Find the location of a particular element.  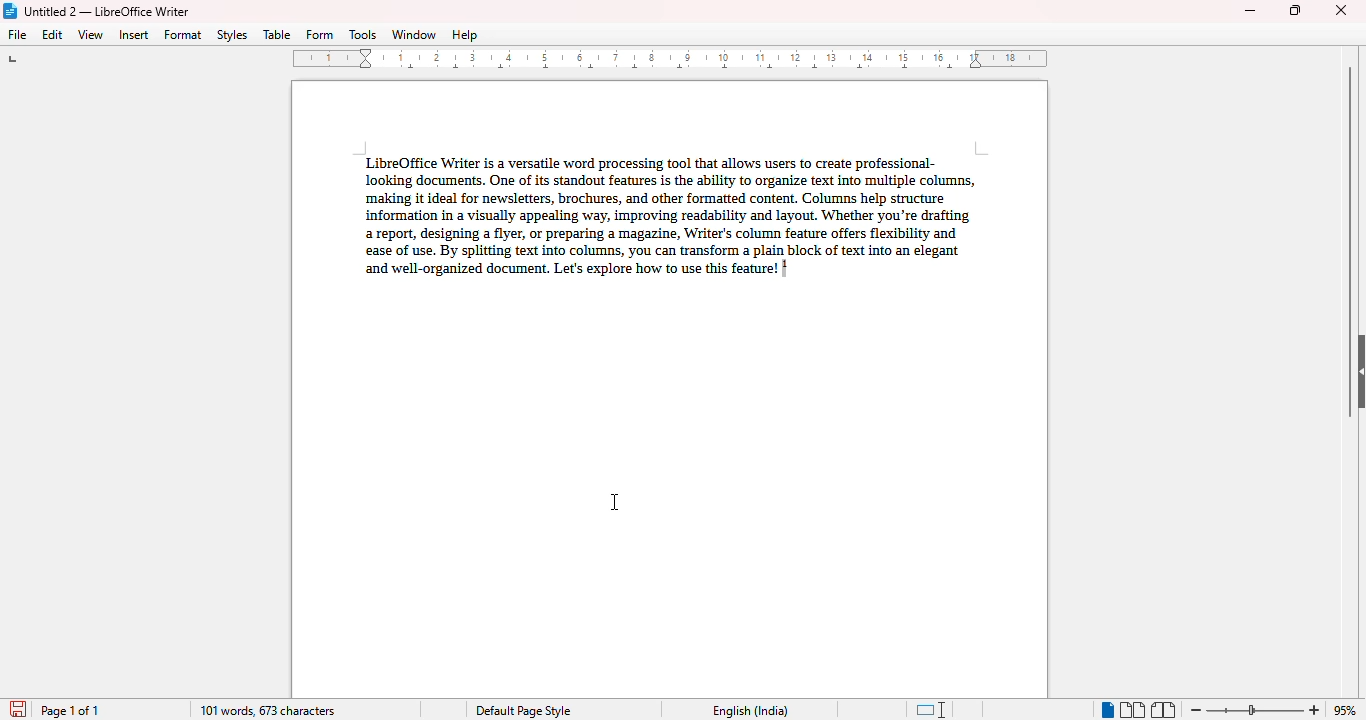

file is located at coordinates (18, 34).